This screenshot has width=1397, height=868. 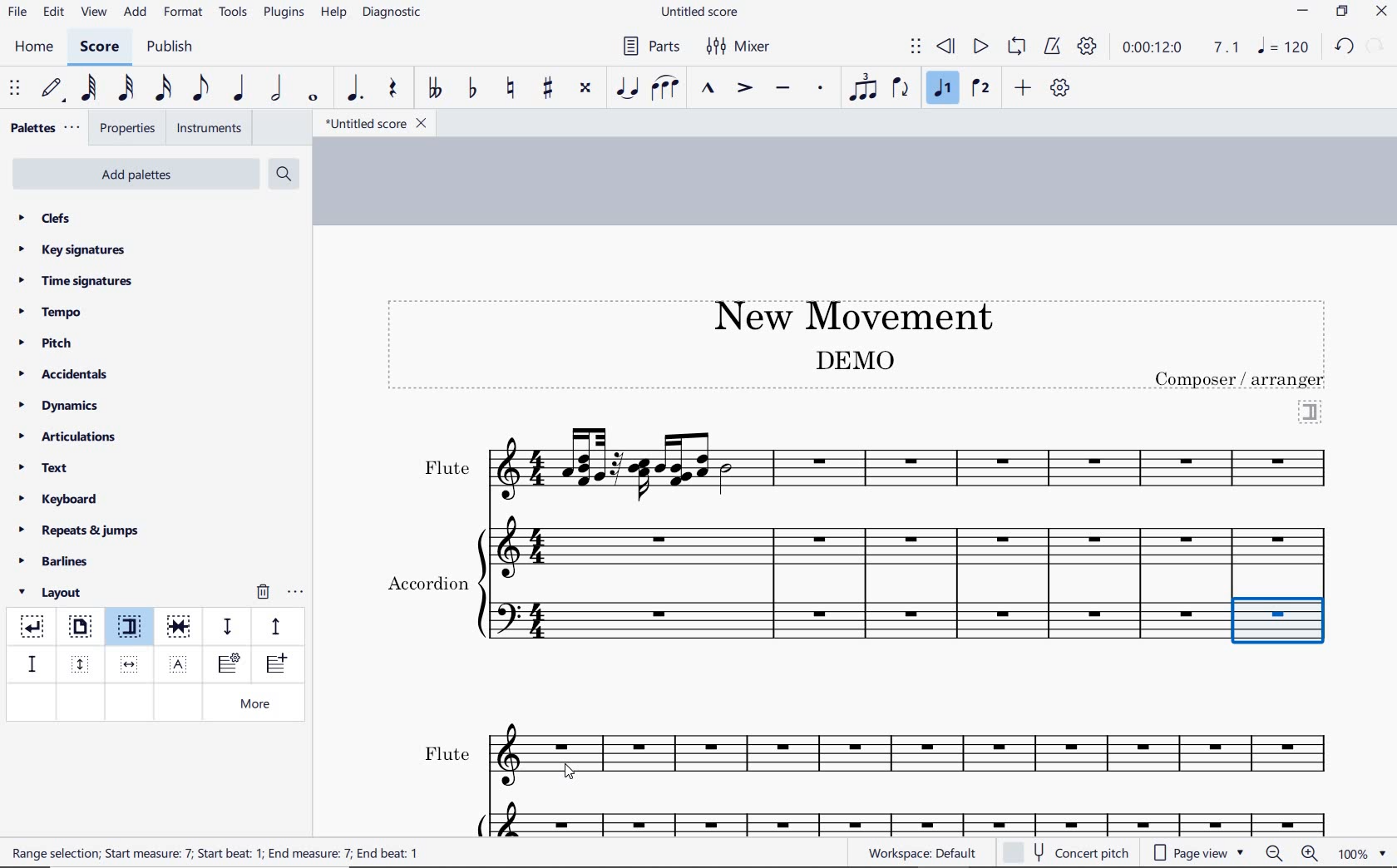 What do you see at coordinates (1343, 12) in the screenshot?
I see `restore down` at bounding box center [1343, 12].